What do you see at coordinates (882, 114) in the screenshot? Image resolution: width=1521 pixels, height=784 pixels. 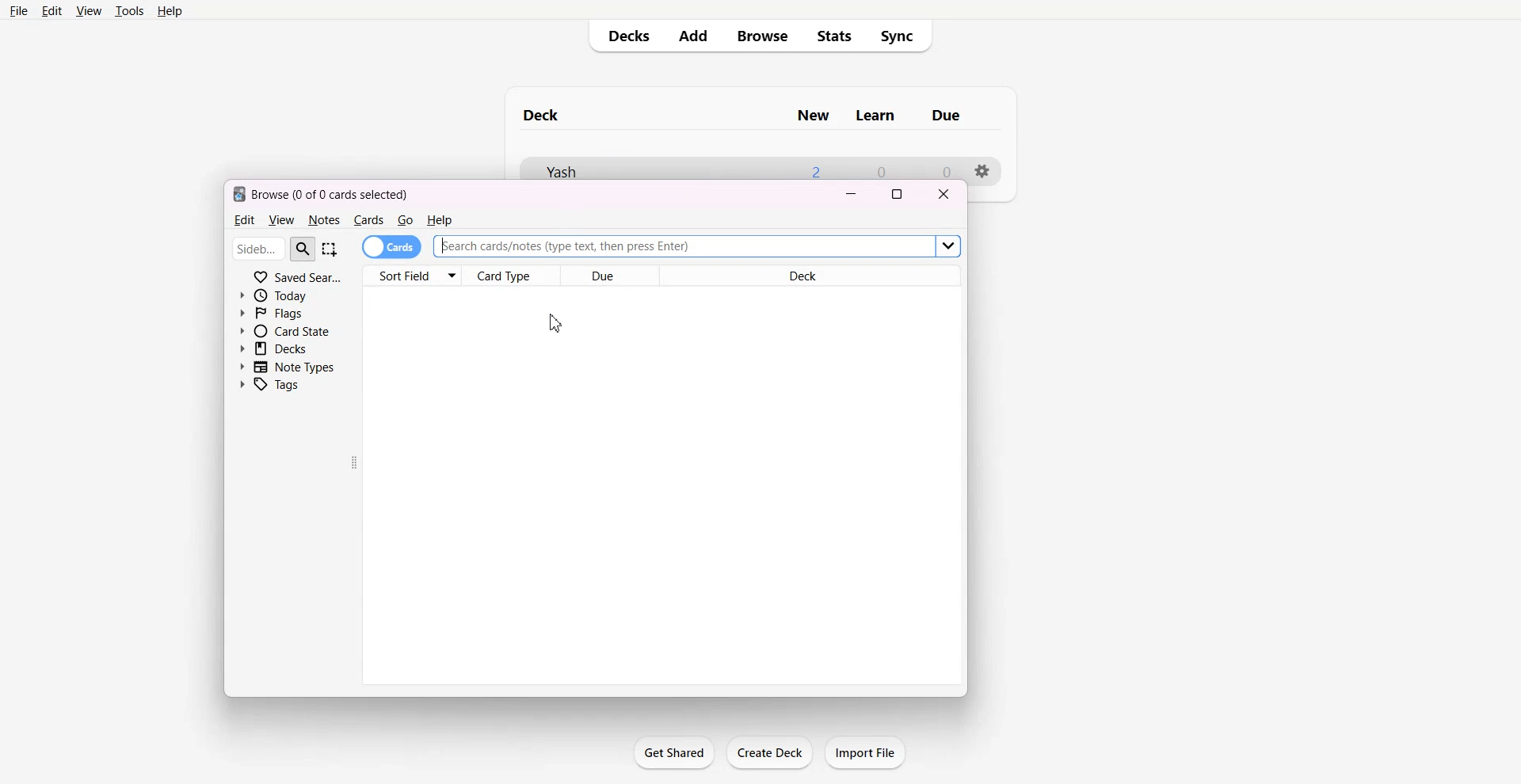 I see `Learn` at bounding box center [882, 114].